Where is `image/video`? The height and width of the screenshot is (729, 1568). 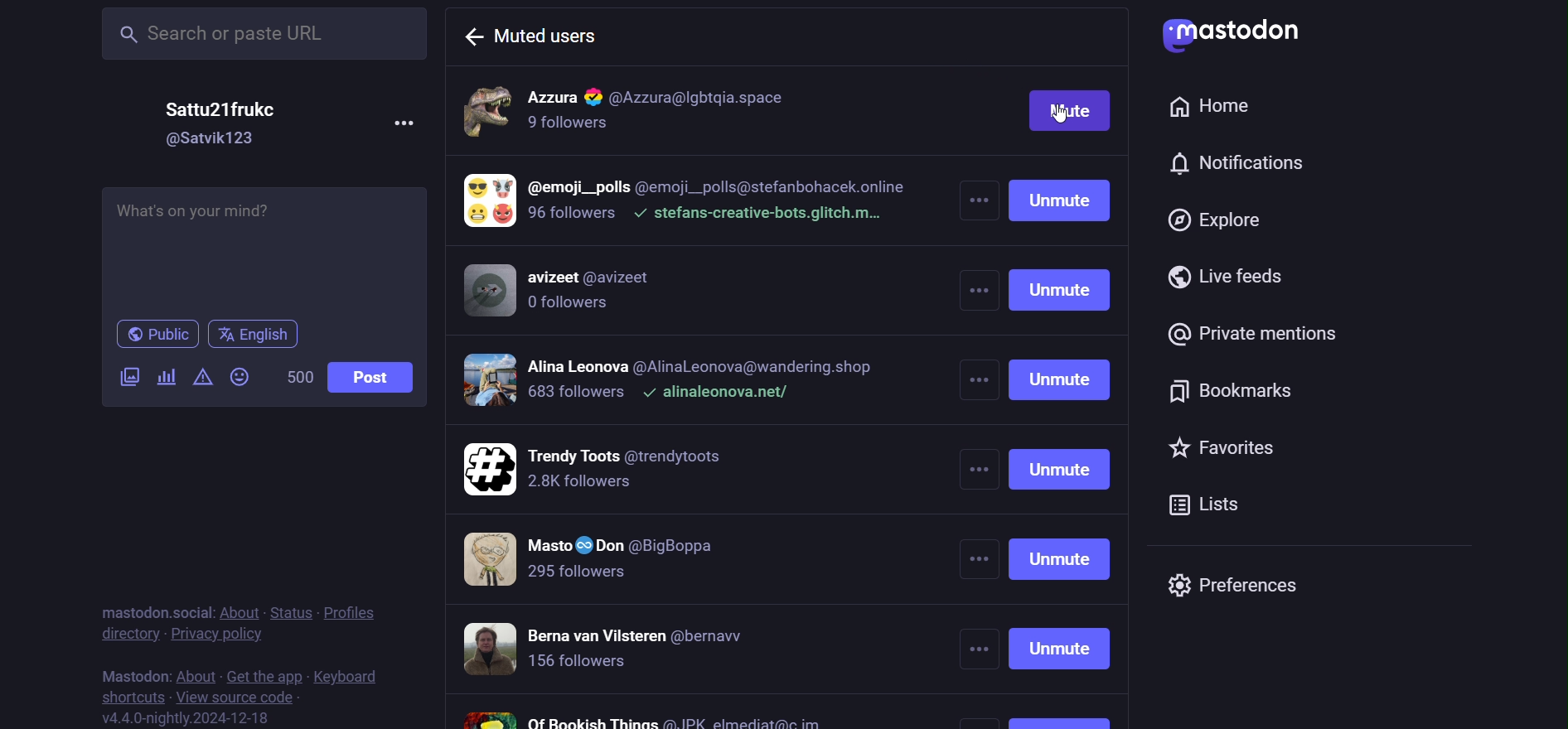 image/video is located at coordinates (129, 376).